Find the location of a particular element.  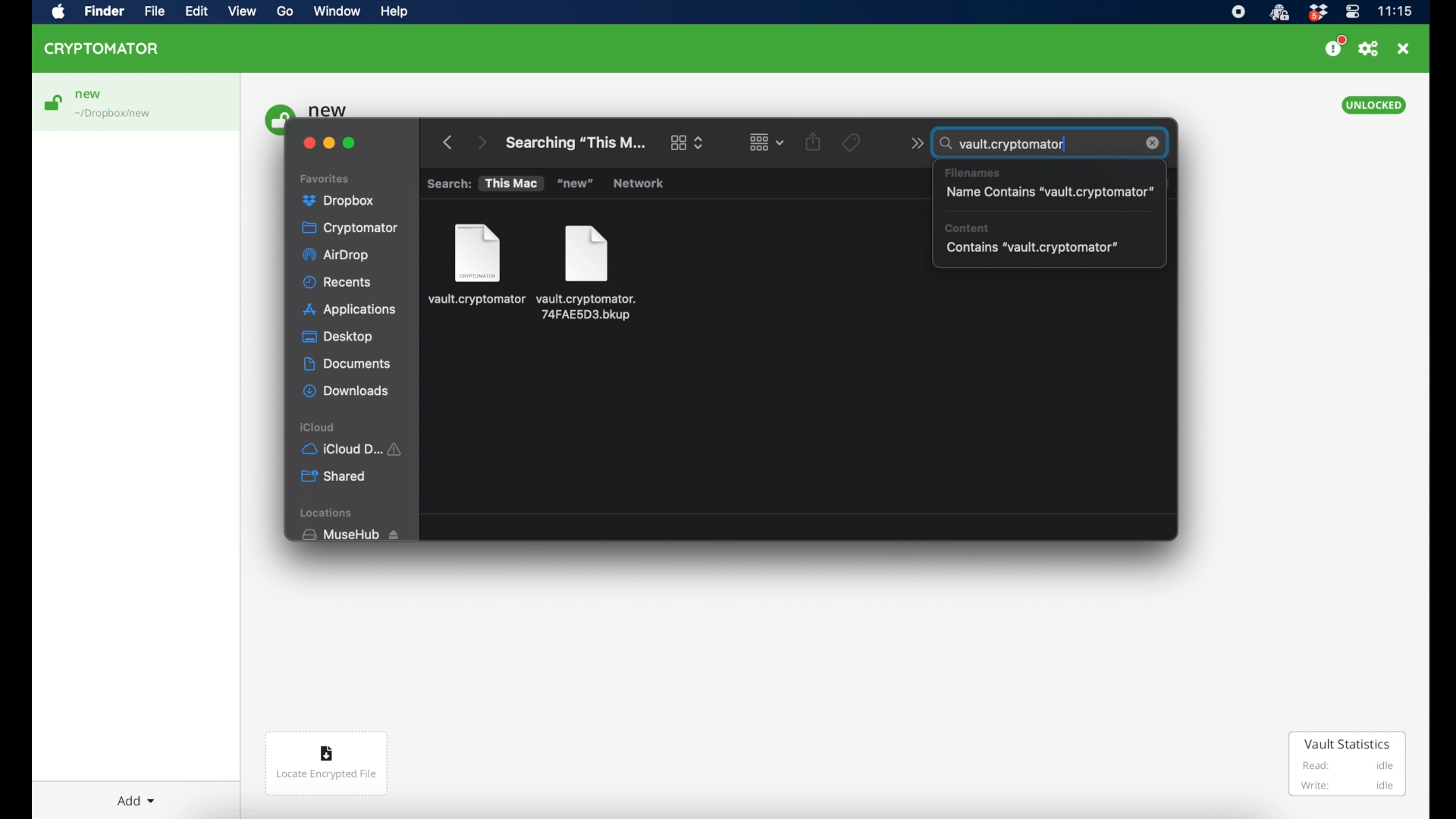

iCloud is located at coordinates (318, 428).